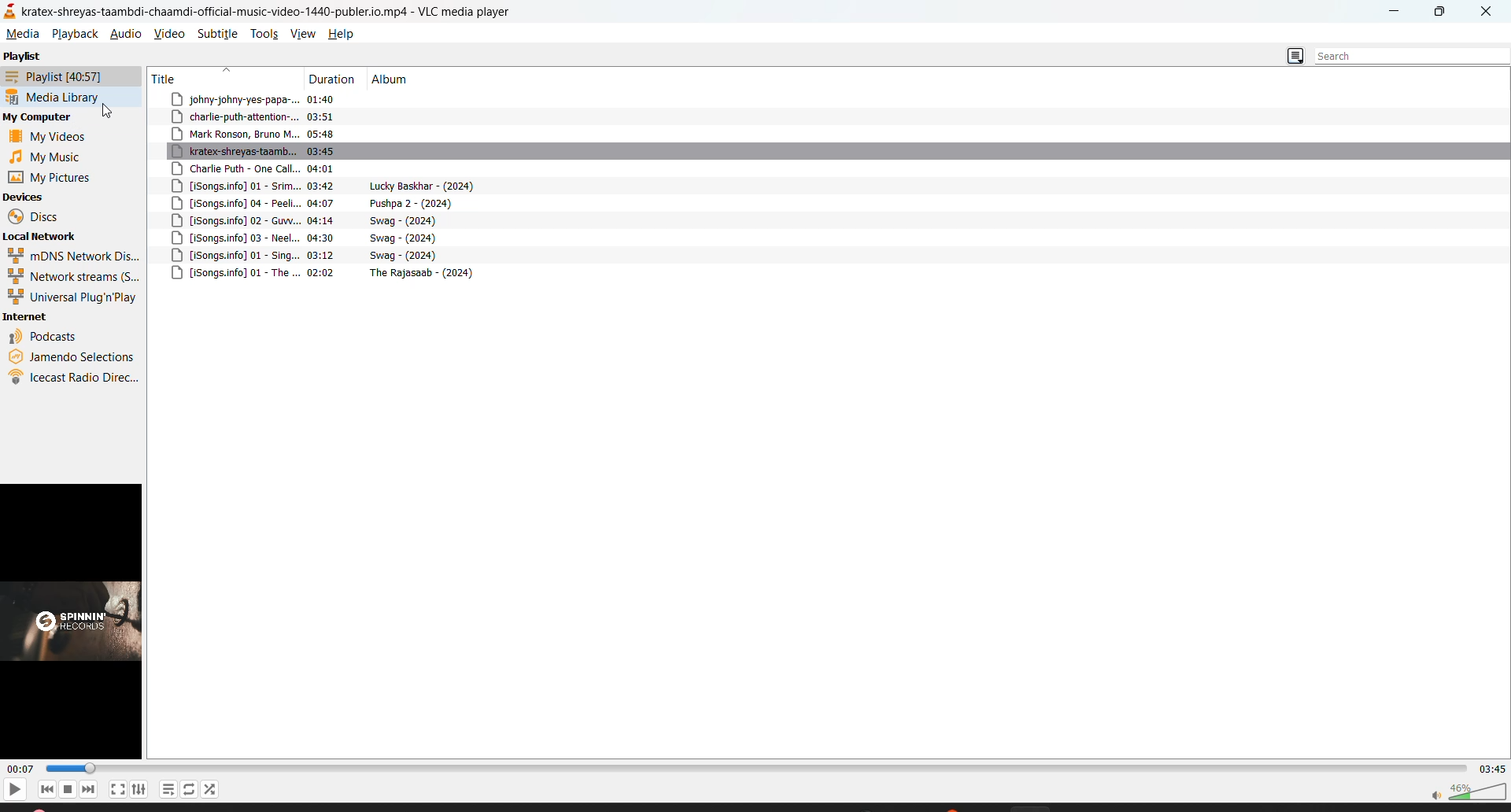 This screenshot has width=1511, height=812. Describe the element at coordinates (399, 79) in the screenshot. I see `album` at that location.